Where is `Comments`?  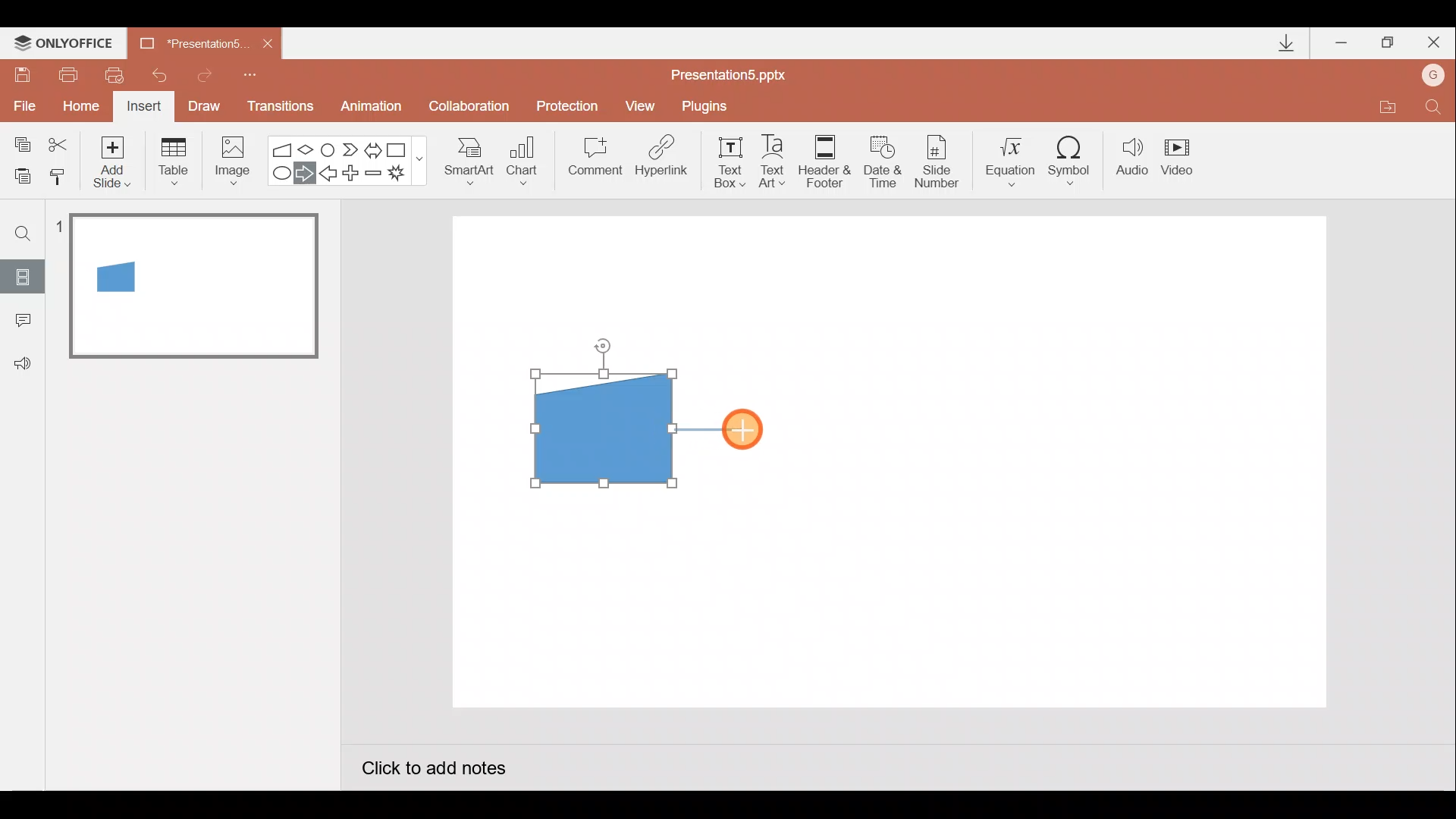 Comments is located at coordinates (19, 322).